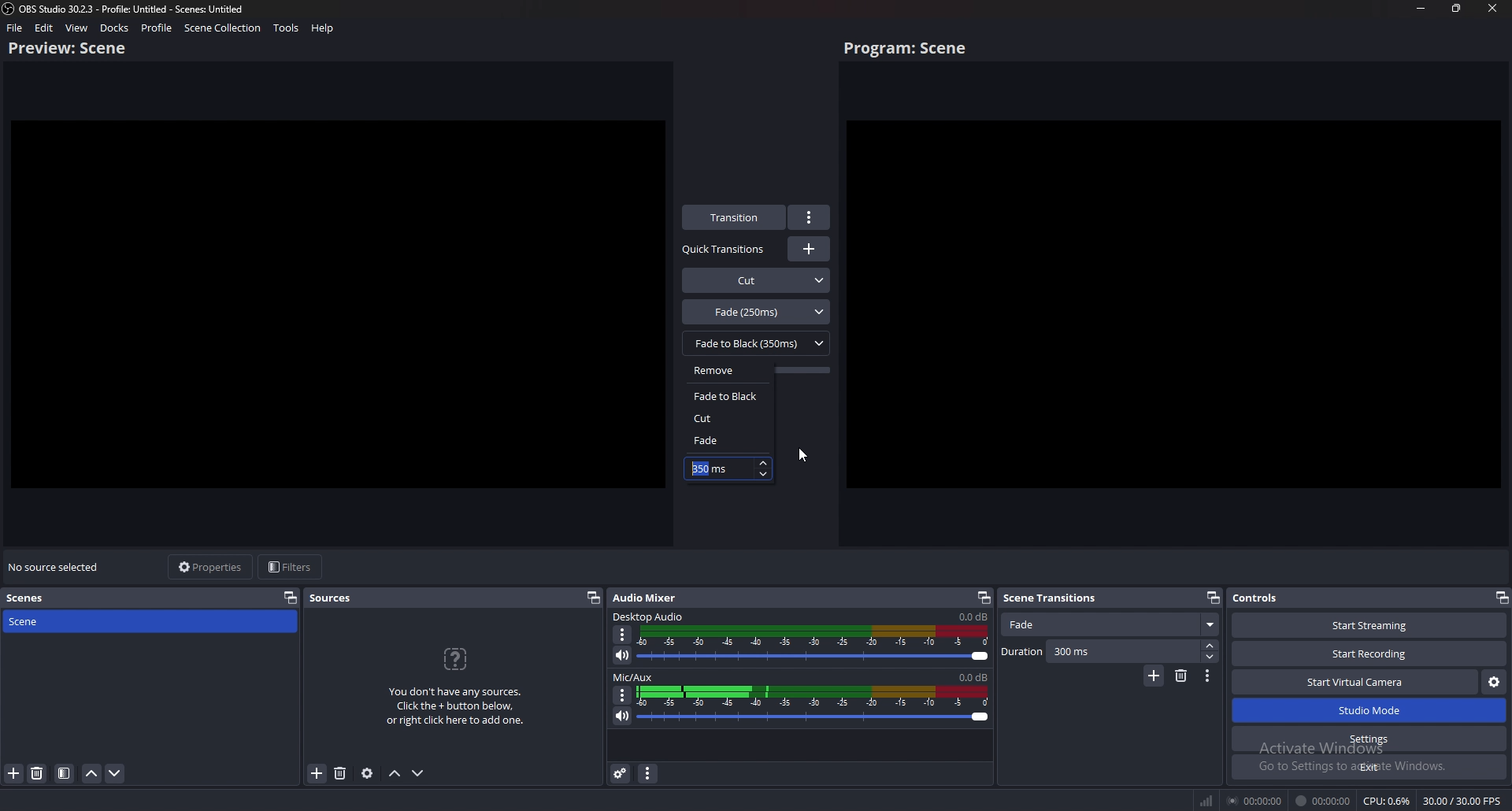  Describe the element at coordinates (213, 567) in the screenshot. I see `properties` at that location.